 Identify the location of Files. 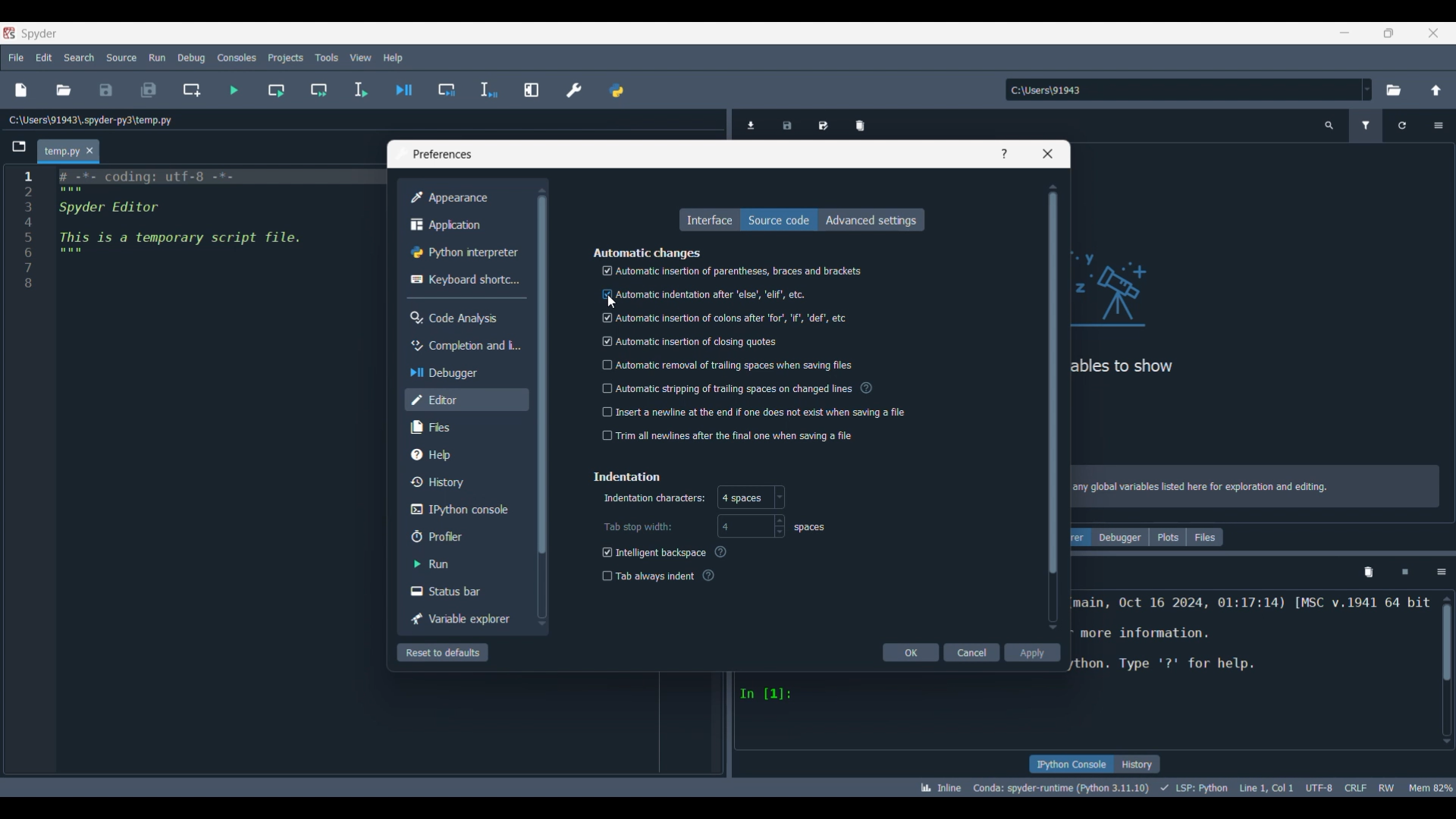
(1205, 537).